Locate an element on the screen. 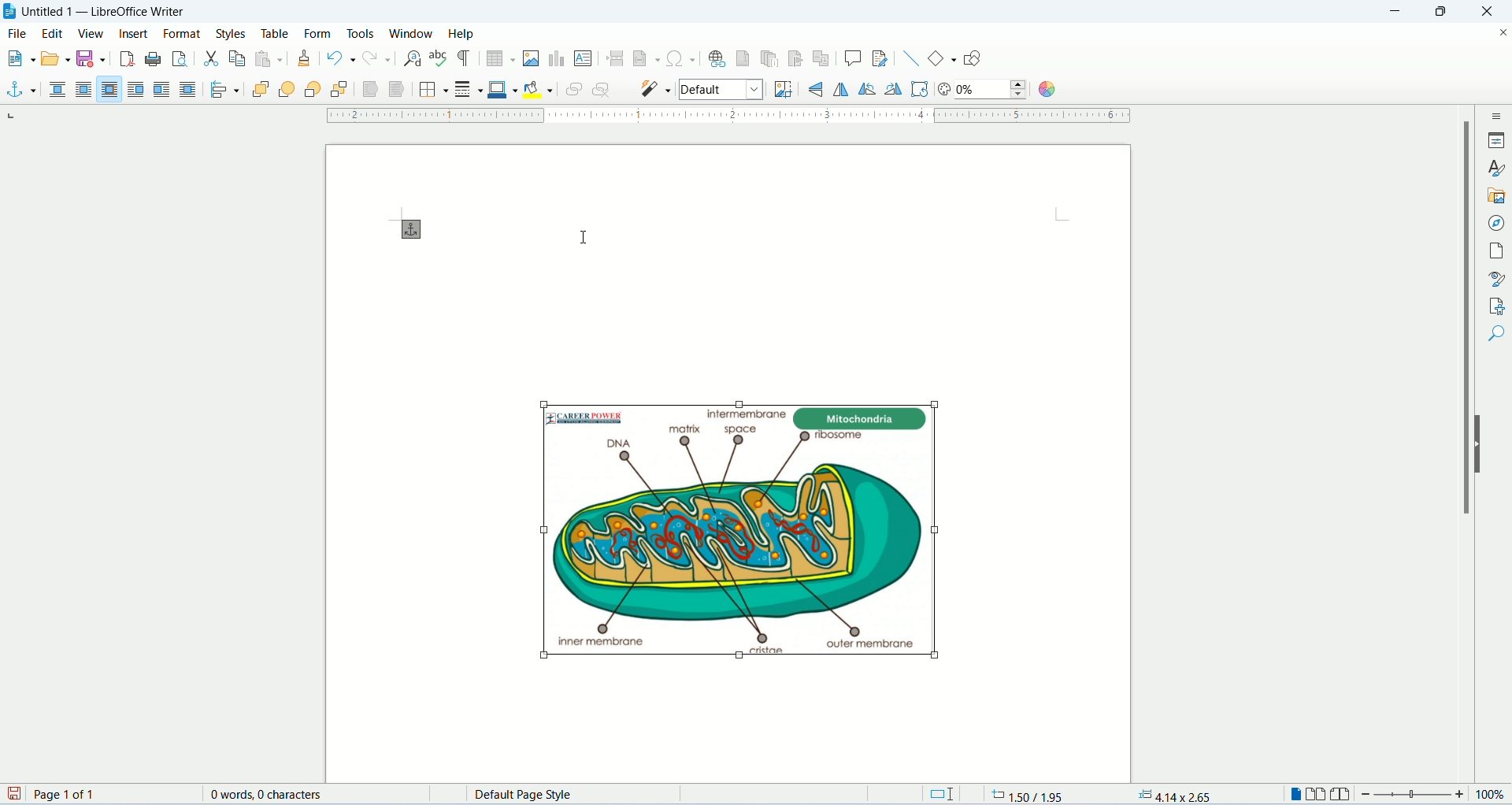 The image size is (1512, 805). undo is located at coordinates (343, 58).